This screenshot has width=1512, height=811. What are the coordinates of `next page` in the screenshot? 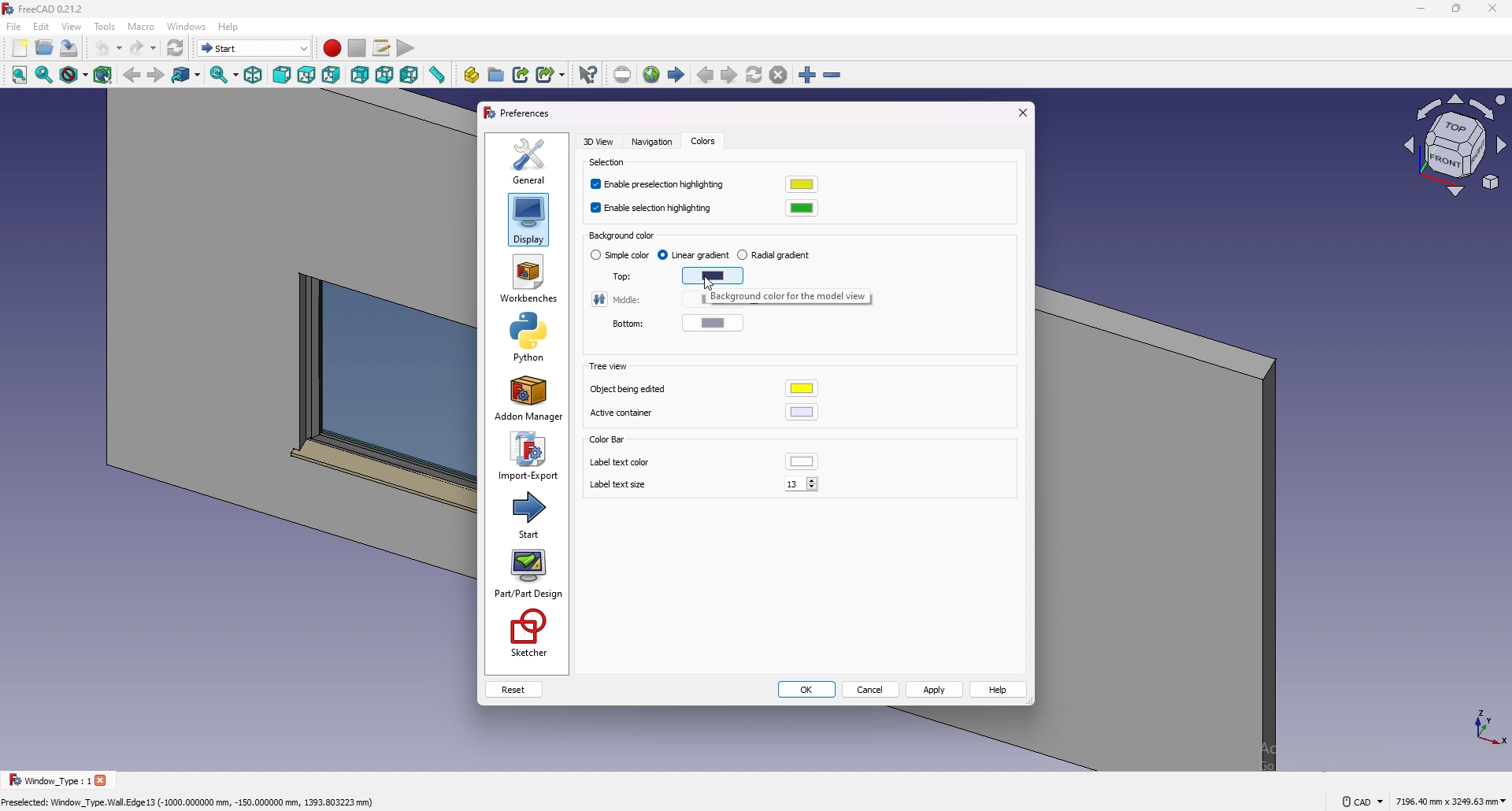 It's located at (729, 76).